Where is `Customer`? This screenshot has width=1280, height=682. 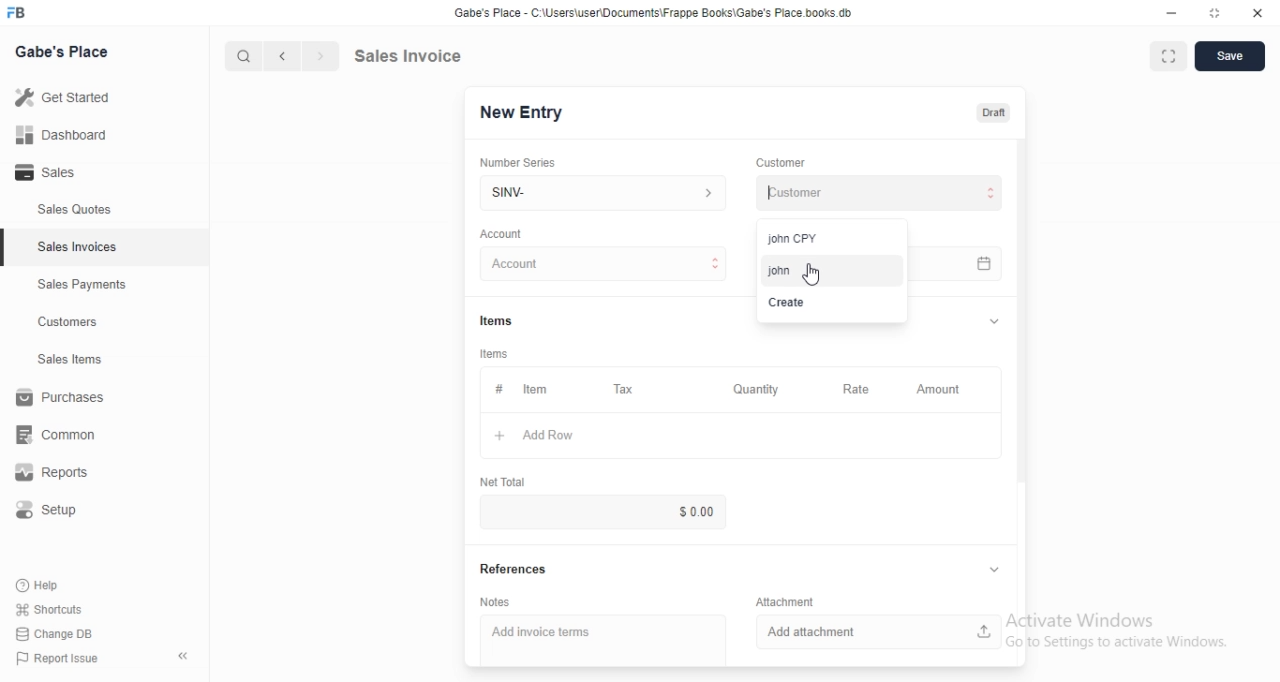 Customer is located at coordinates (789, 161).